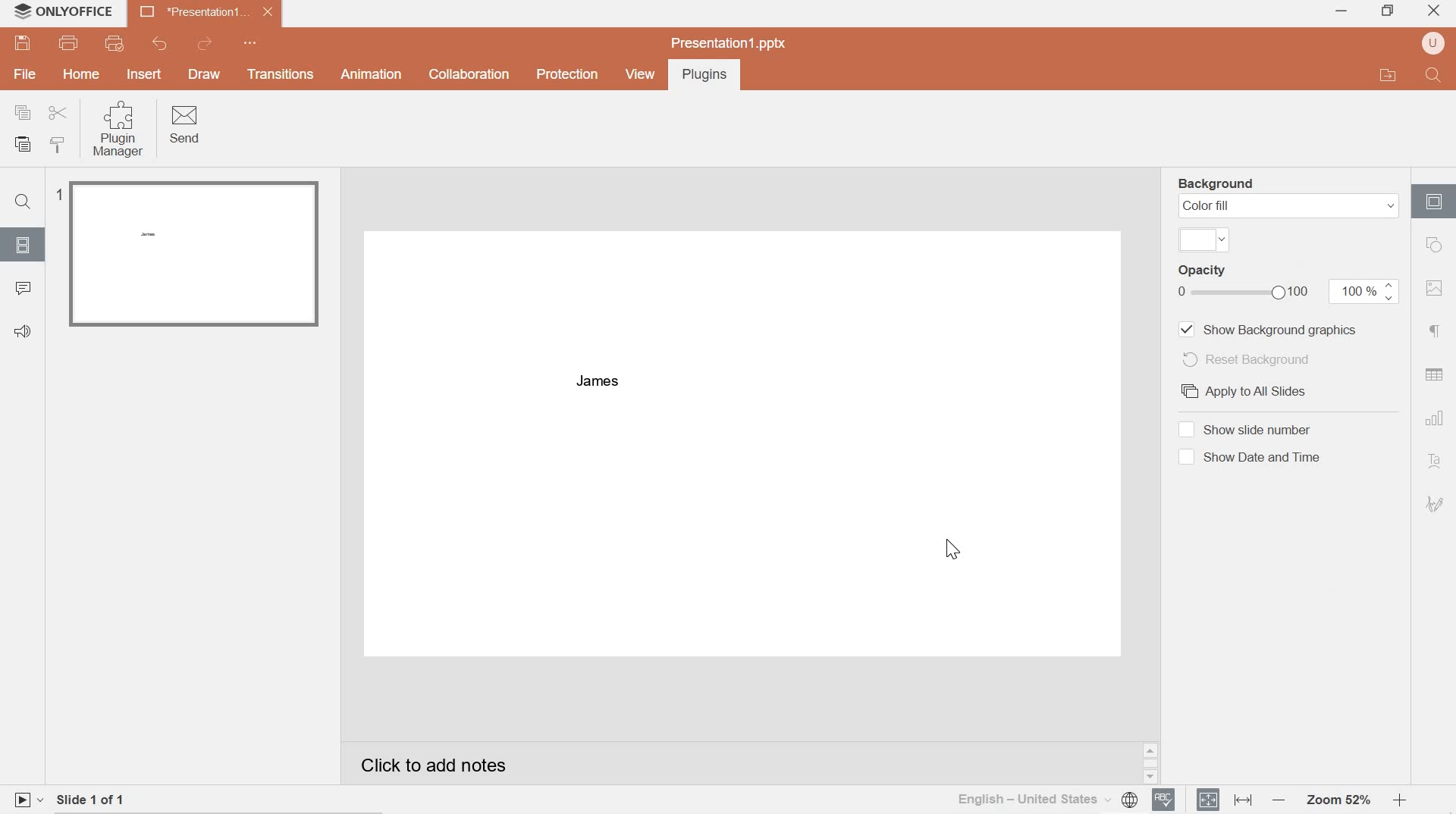 The height and width of the screenshot is (814, 1456). Describe the element at coordinates (566, 75) in the screenshot. I see `Protection` at that location.